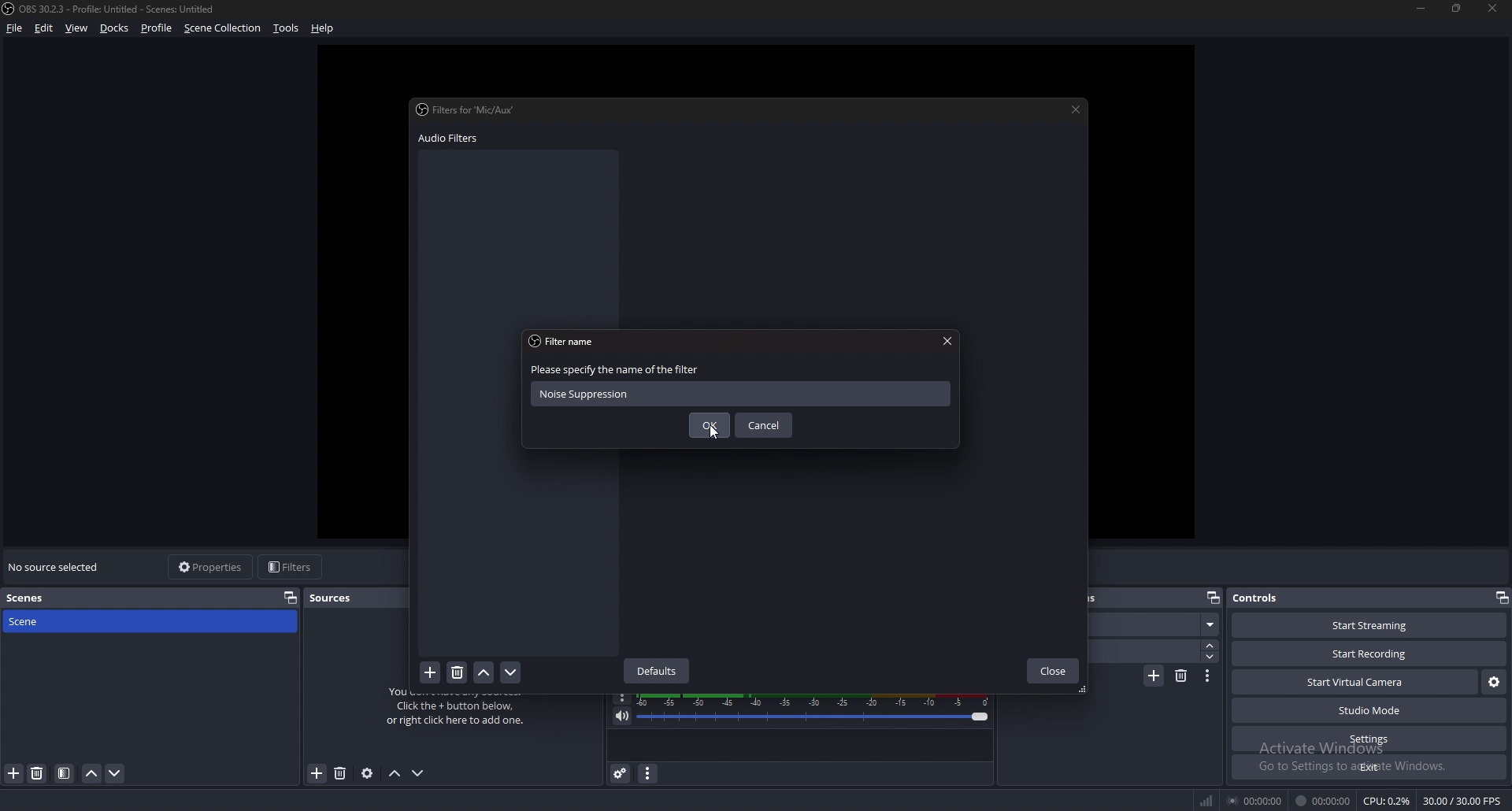 Image resolution: width=1512 pixels, height=811 pixels. What do you see at coordinates (1370, 710) in the screenshot?
I see `studio mode` at bounding box center [1370, 710].